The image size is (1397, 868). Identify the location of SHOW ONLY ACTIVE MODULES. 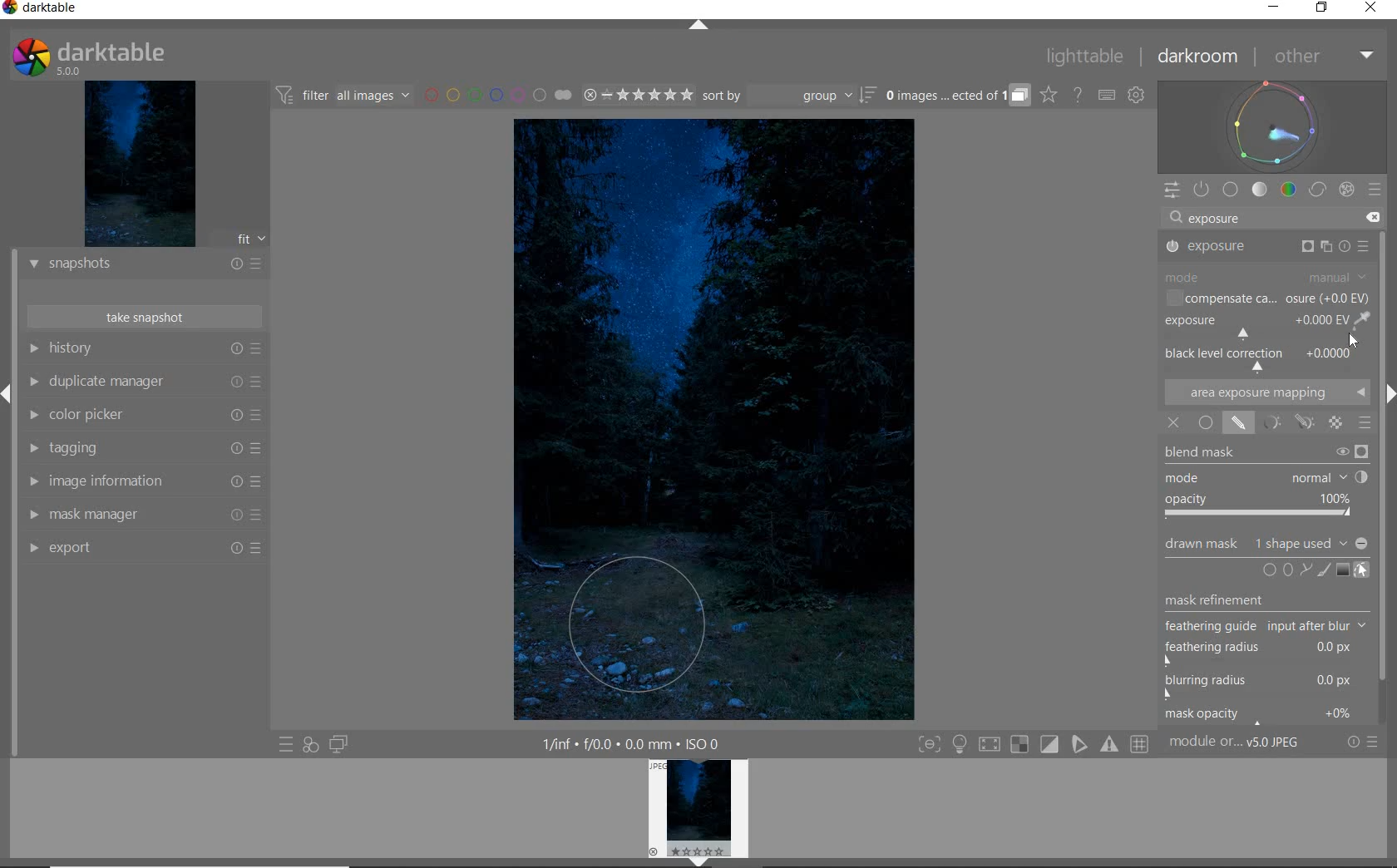
(1202, 190).